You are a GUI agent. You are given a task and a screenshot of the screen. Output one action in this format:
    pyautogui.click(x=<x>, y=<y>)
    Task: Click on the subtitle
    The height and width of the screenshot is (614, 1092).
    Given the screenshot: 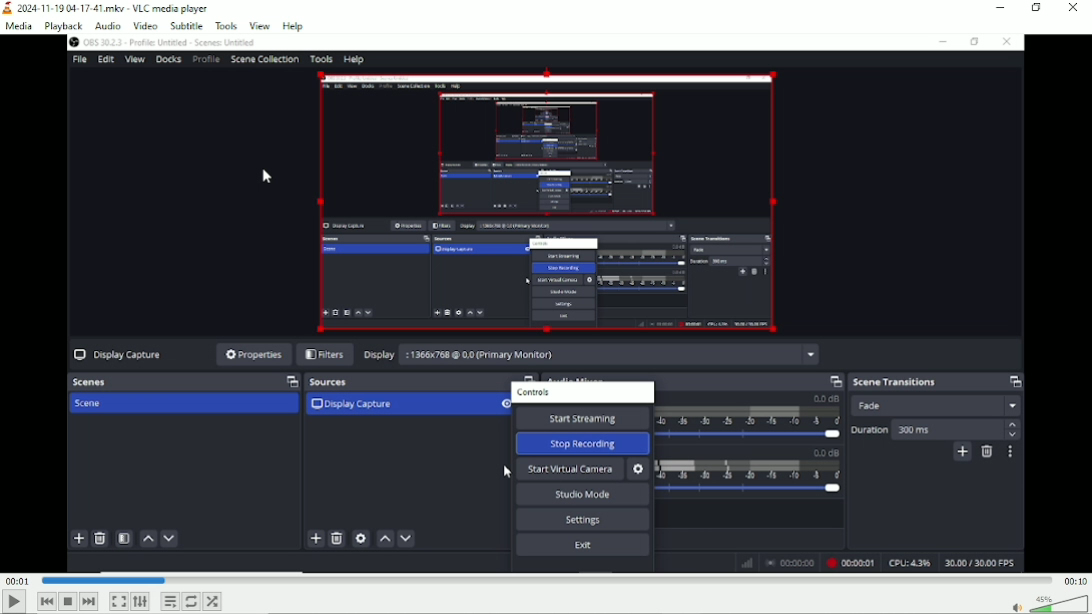 What is the action you would take?
    pyautogui.click(x=184, y=25)
    